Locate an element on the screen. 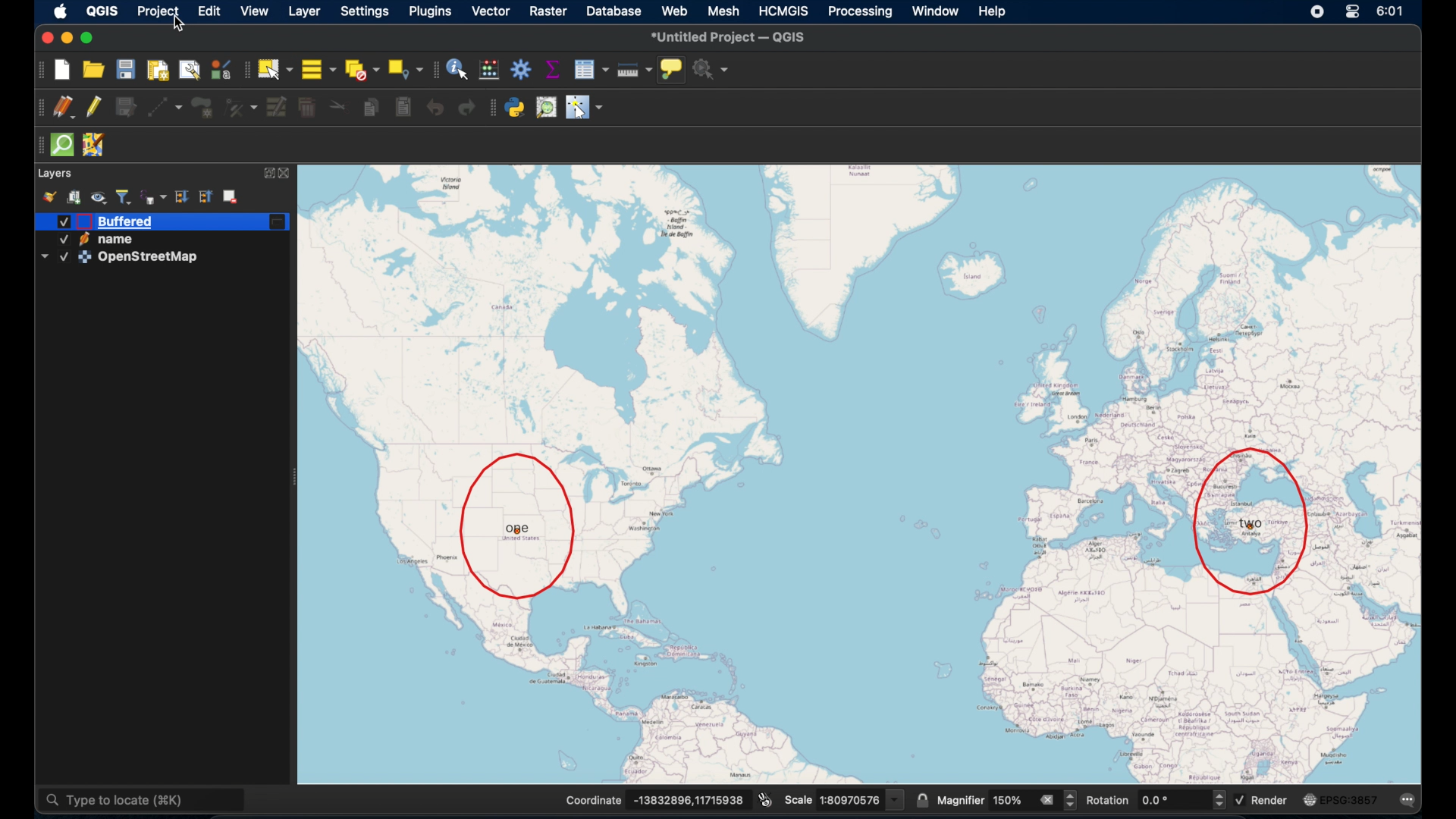 Image resolution: width=1456 pixels, height=819 pixels. save project is located at coordinates (125, 70).